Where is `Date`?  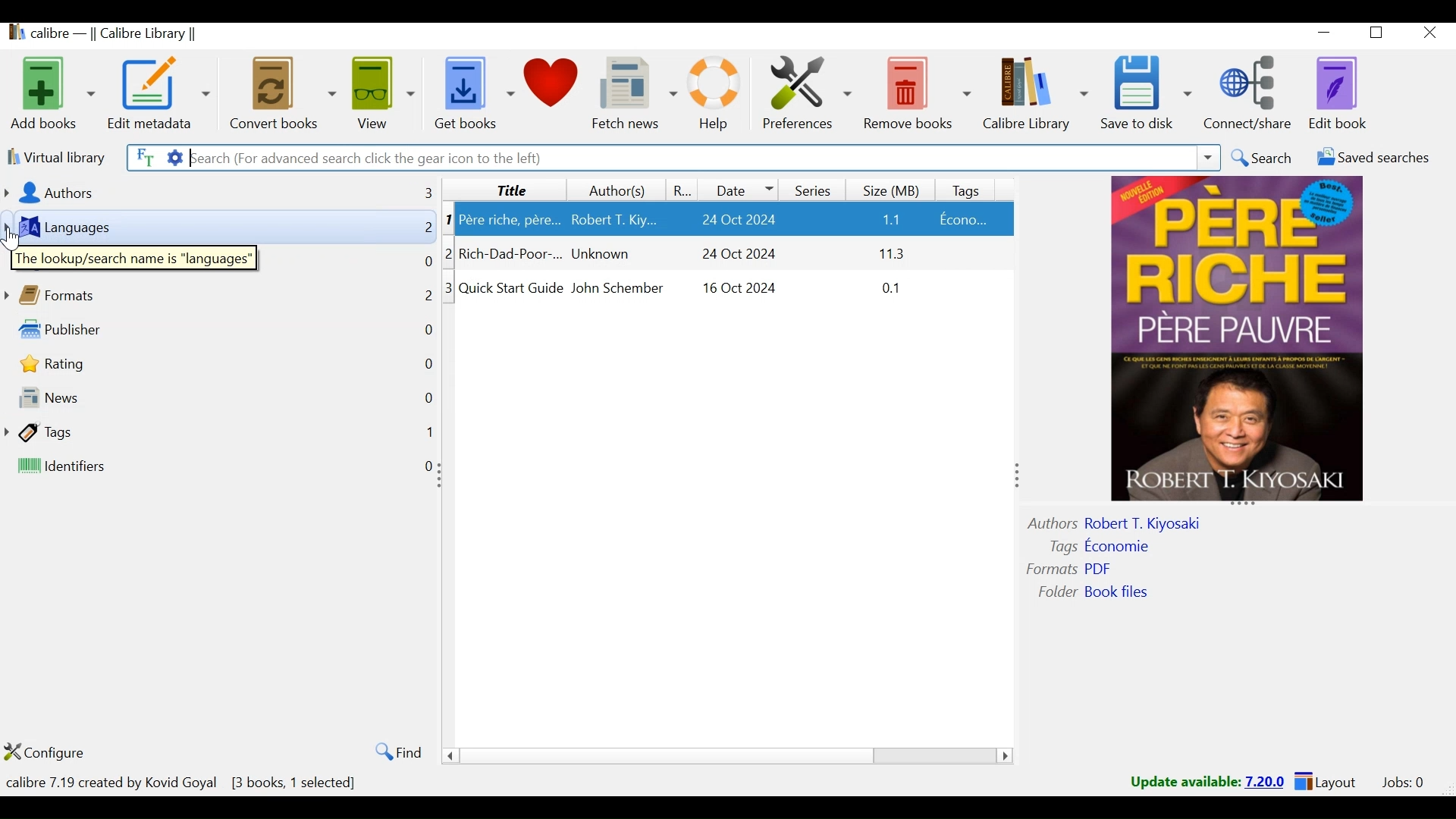 Date is located at coordinates (740, 189).